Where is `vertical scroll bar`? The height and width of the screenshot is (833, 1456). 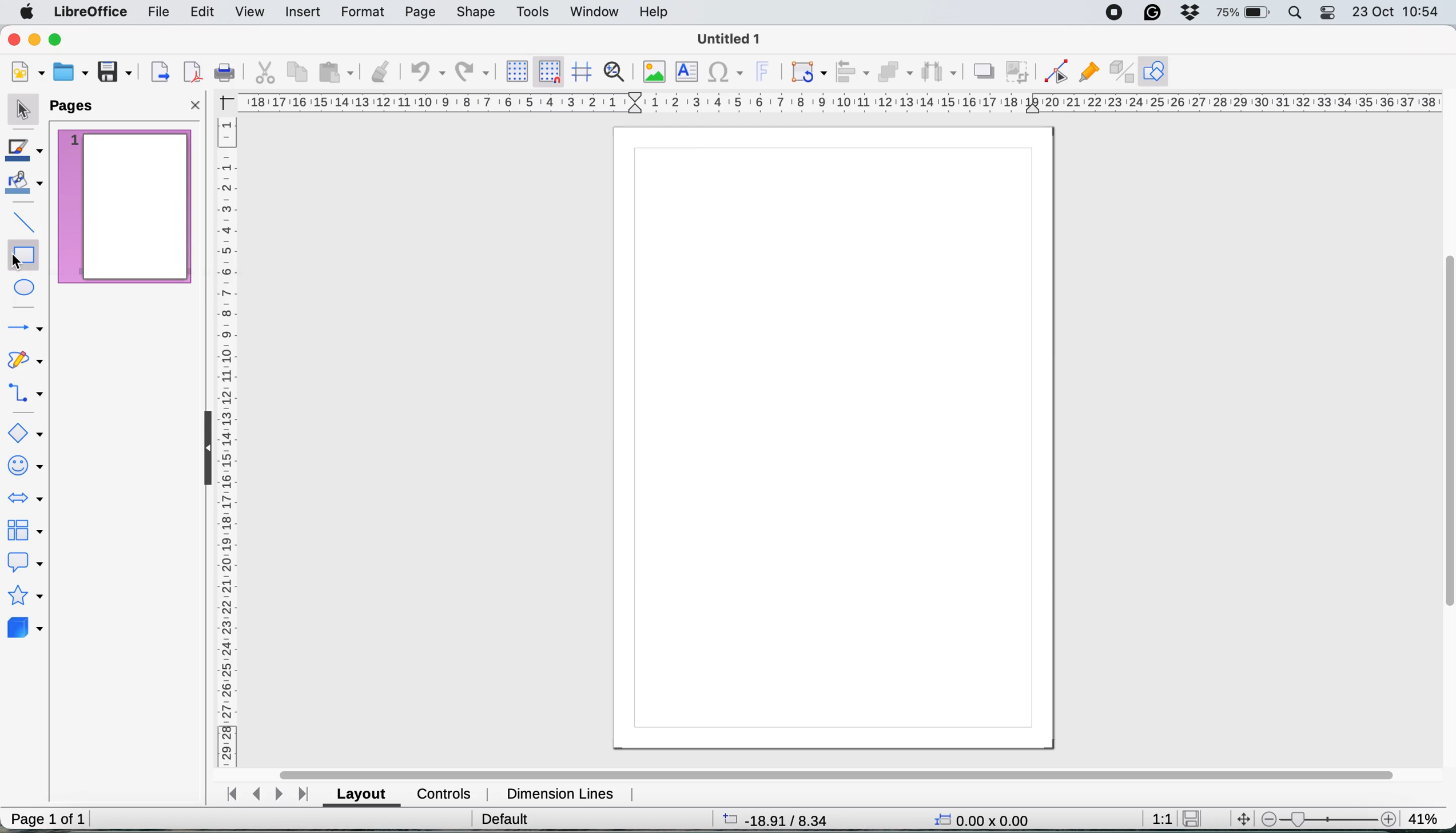 vertical scroll bar is located at coordinates (1445, 433).